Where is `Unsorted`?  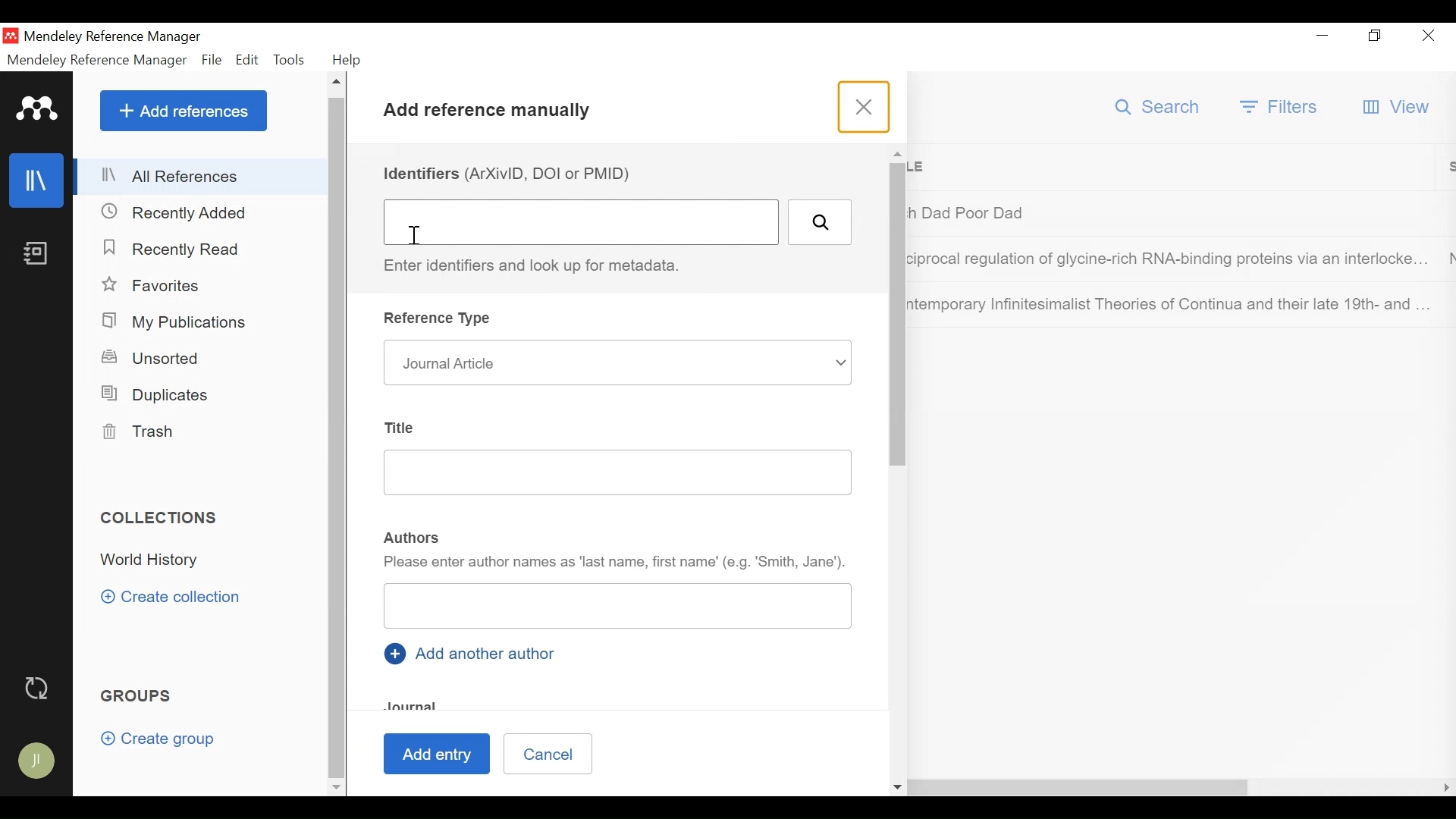 Unsorted is located at coordinates (152, 357).